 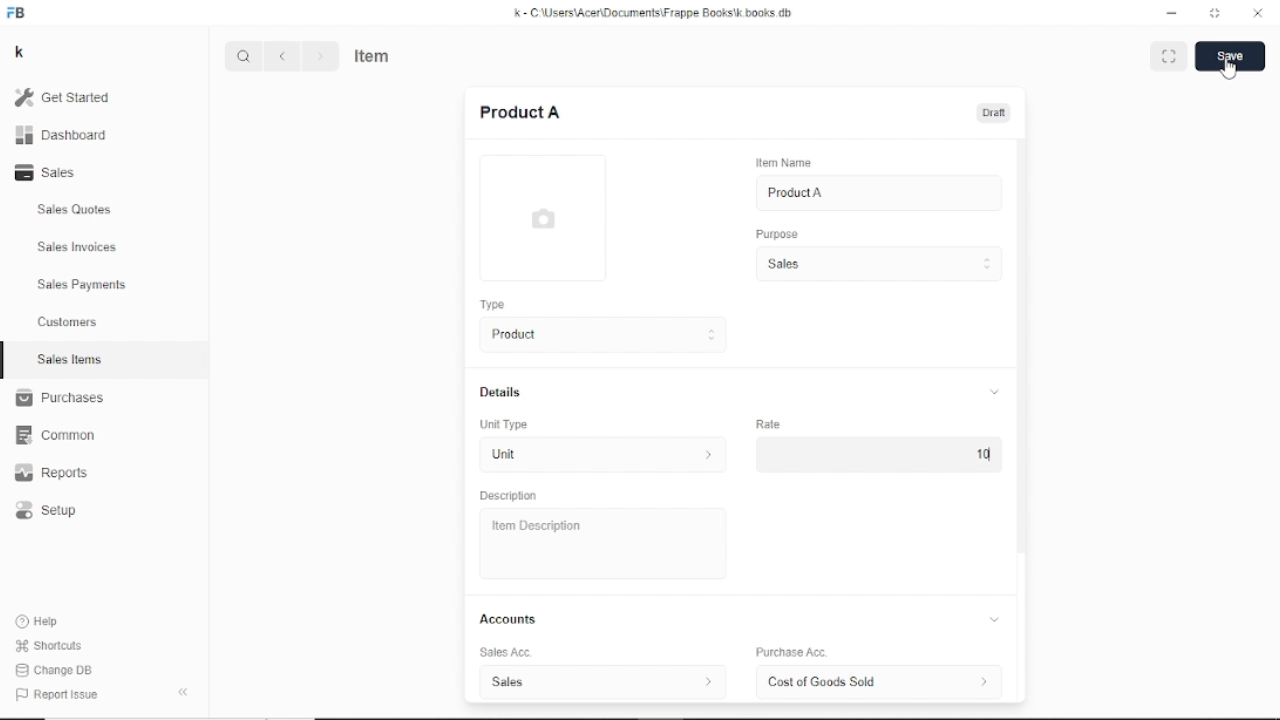 I want to click on Purchase Acc., so click(x=790, y=653).